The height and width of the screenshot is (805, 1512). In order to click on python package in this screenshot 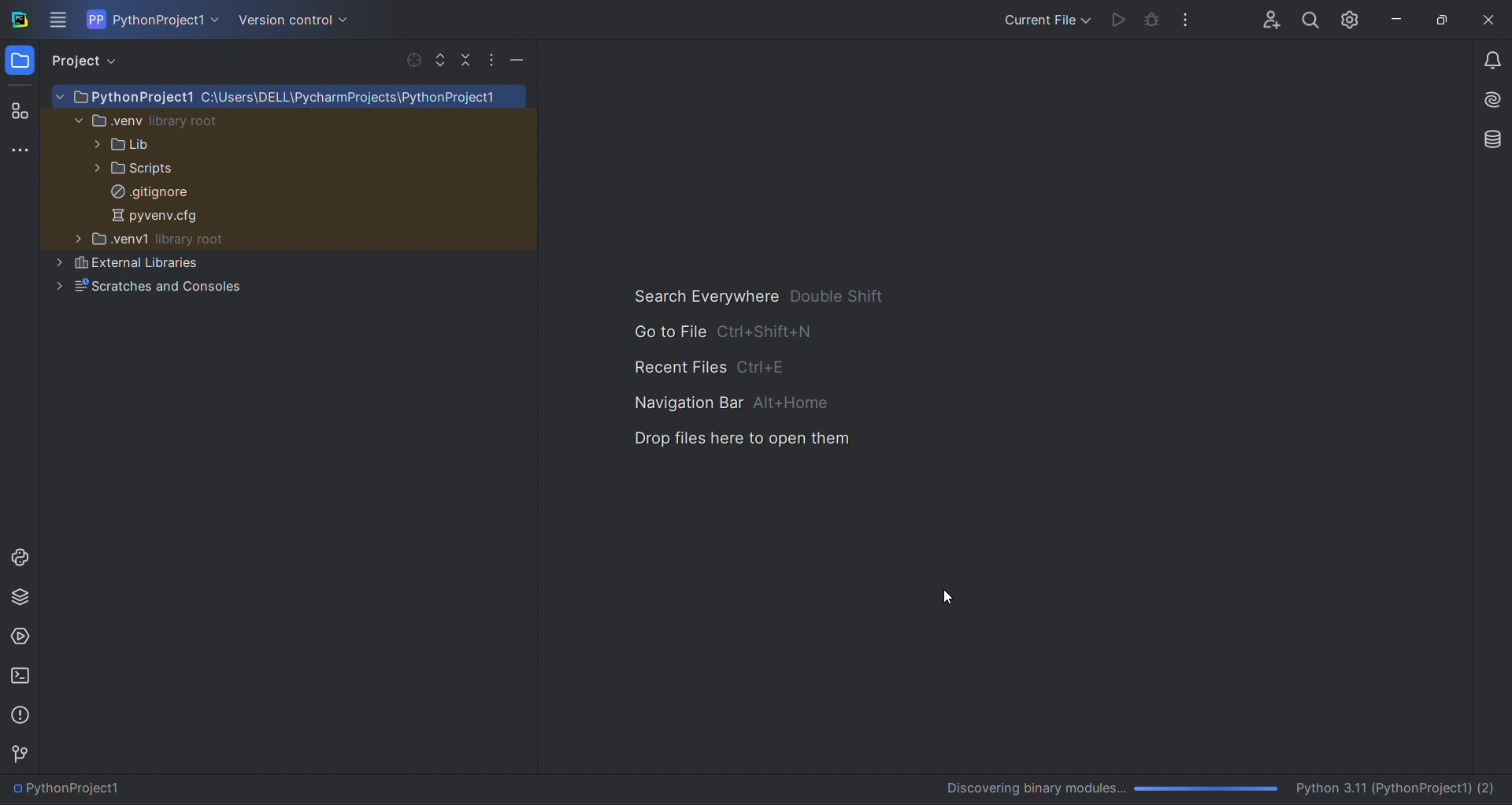, I will do `click(20, 600)`.